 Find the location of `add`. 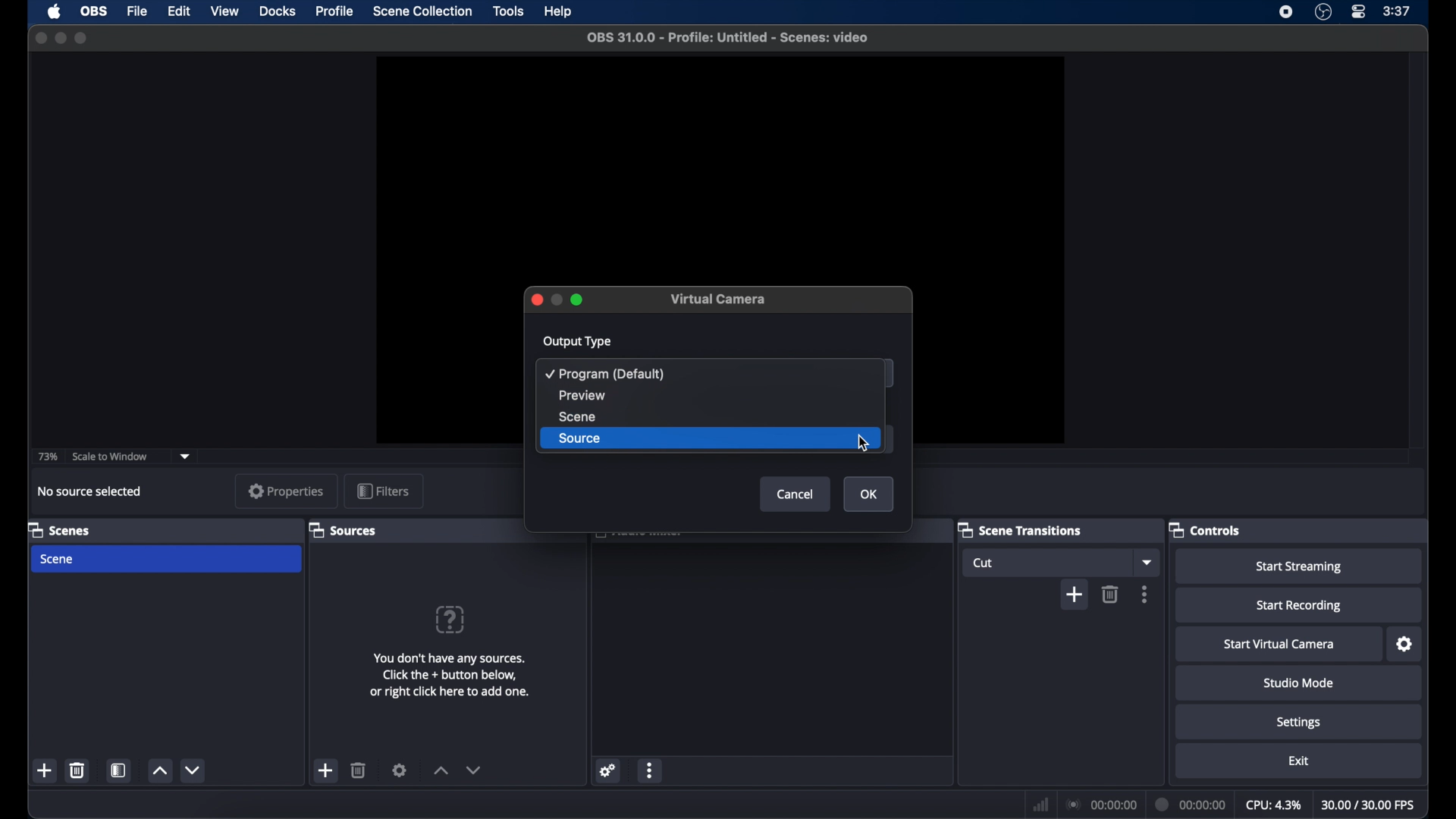

add is located at coordinates (1074, 595).